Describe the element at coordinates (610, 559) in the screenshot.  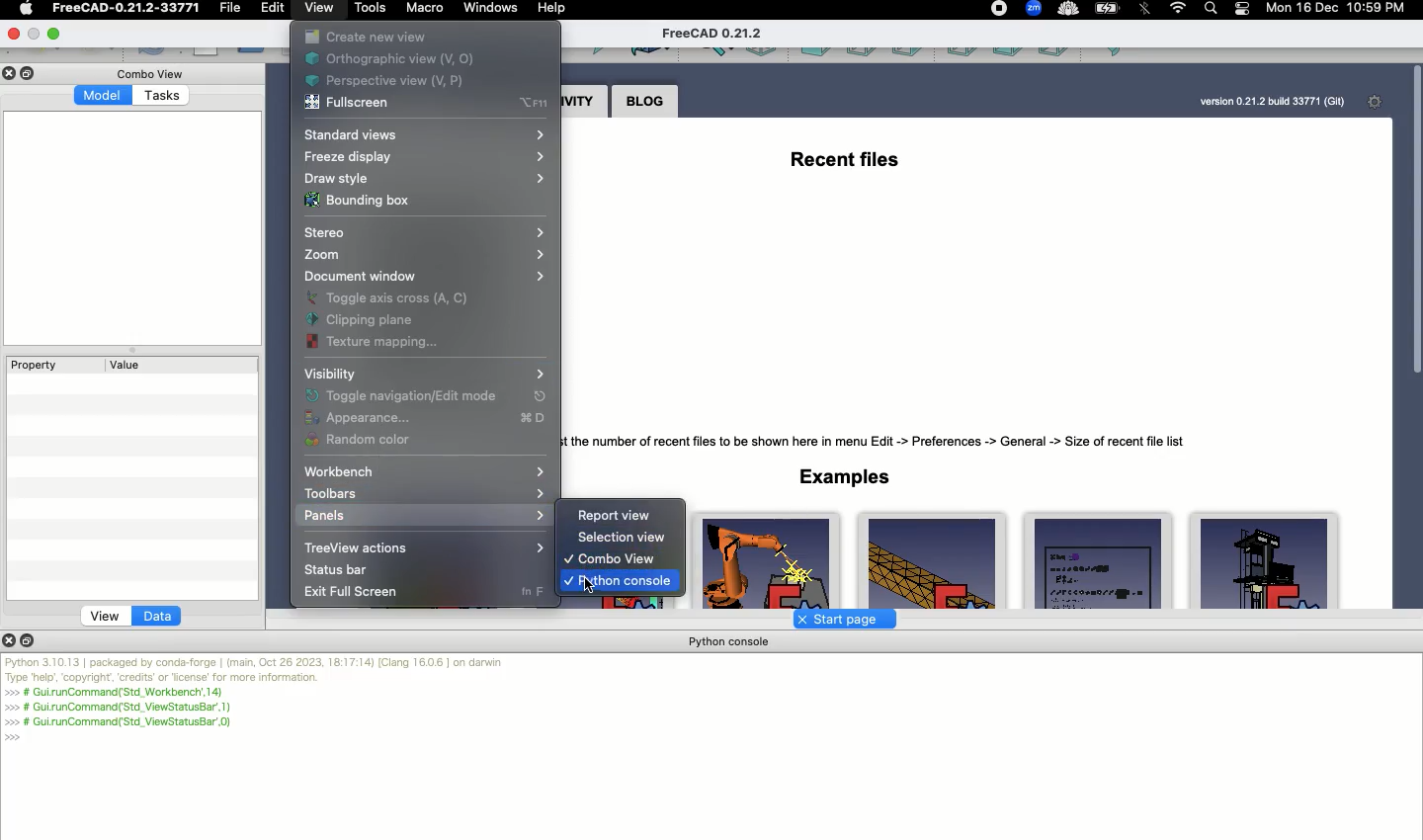
I see `Combo view` at that location.